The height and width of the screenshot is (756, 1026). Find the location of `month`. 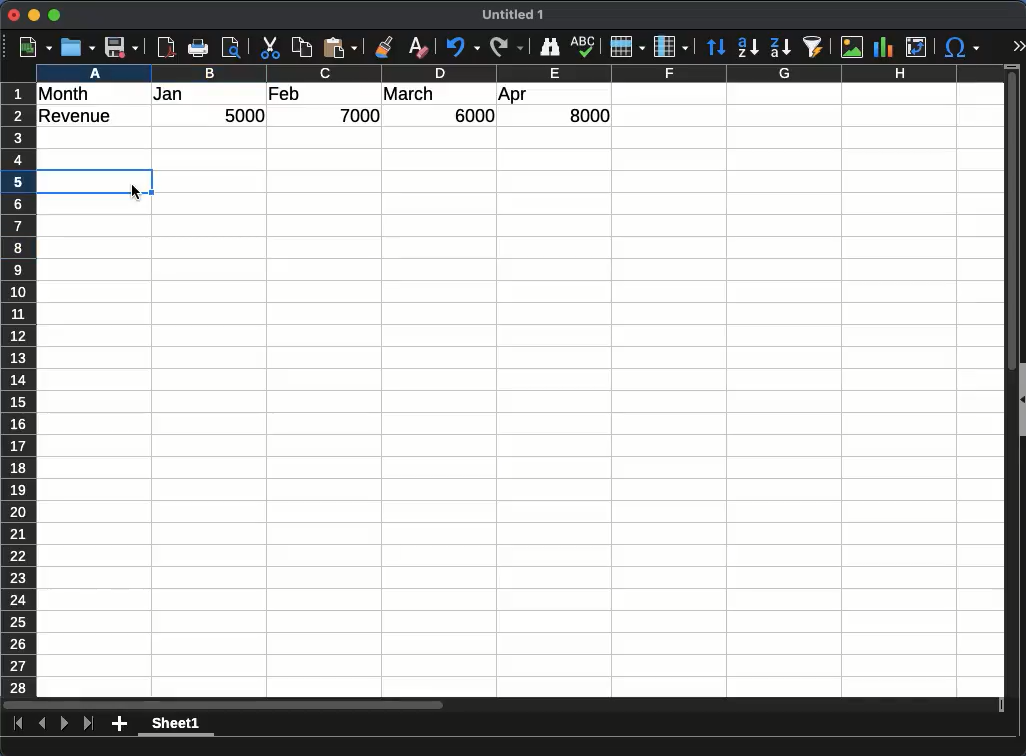

month is located at coordinates (64, 94).